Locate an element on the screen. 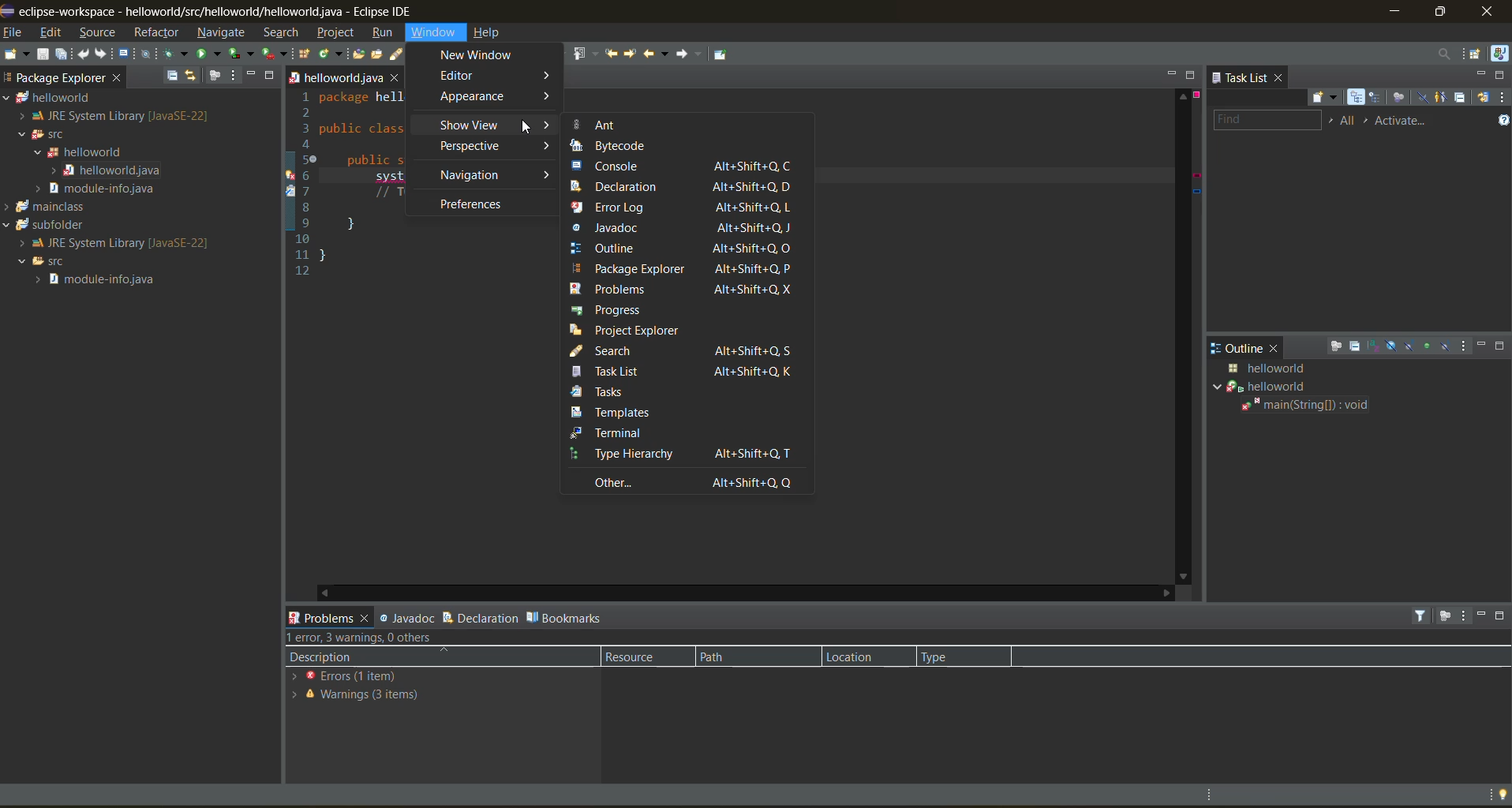 Image resolution: width=1512 pixels, height=808 pixels. subfolder is located at coordinates (77, 224).